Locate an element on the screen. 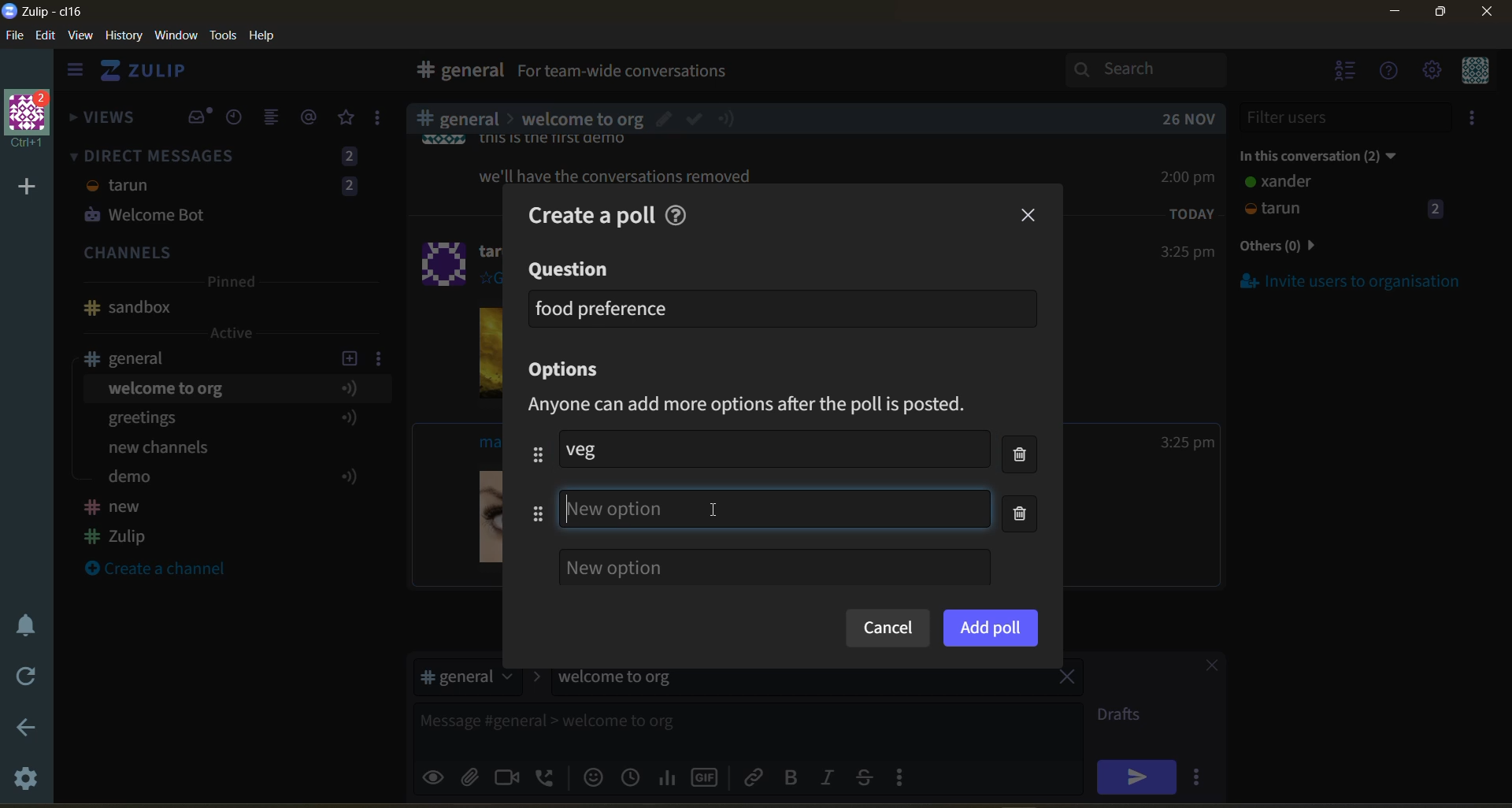 This screenshot has height=808, width=1512. Scroll bar is located at coordinates (1503, 421).